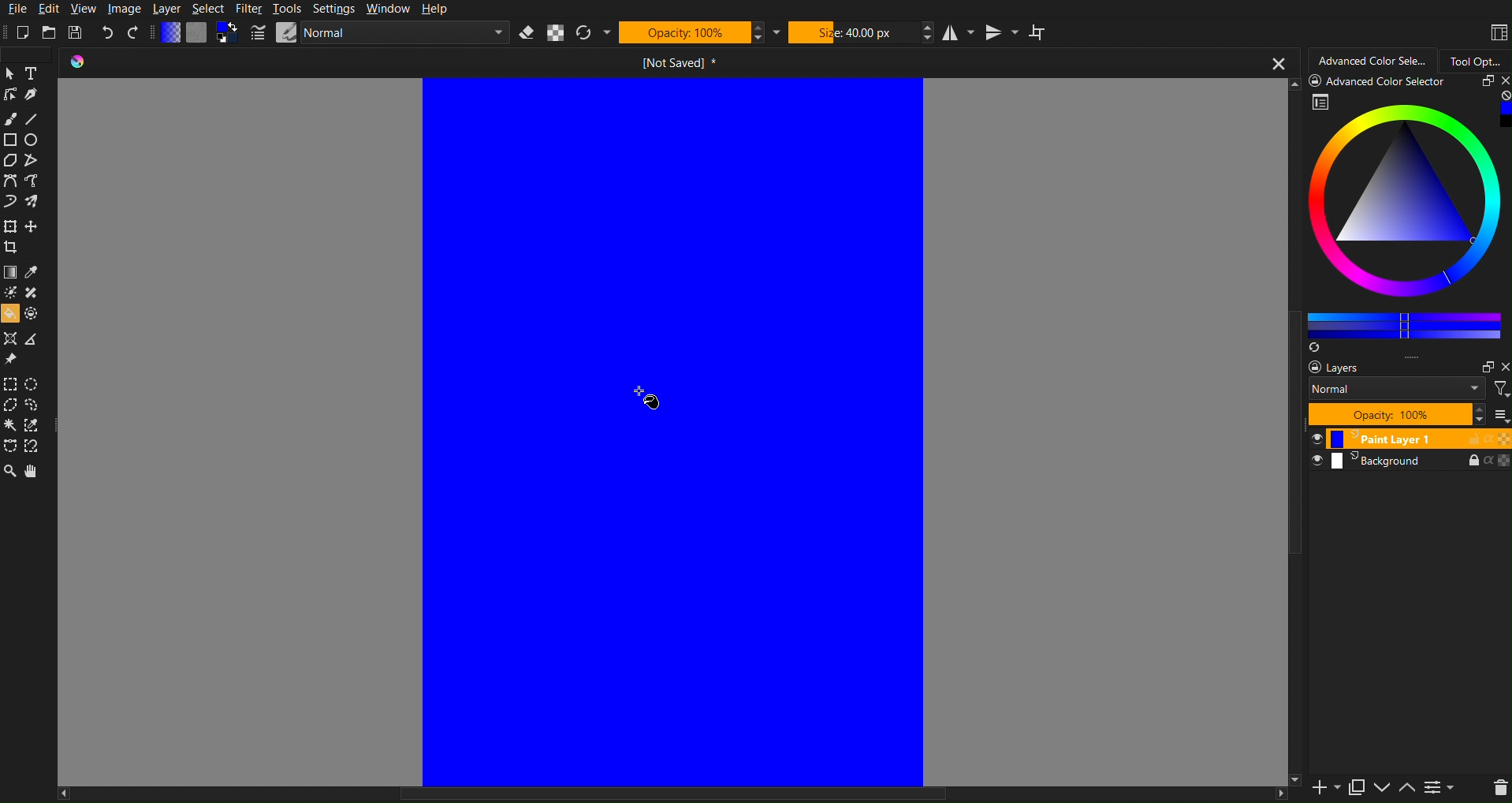  Describe the element at coordinates (24, 150) in the screenshot. I see `Shape Tools` at that location.